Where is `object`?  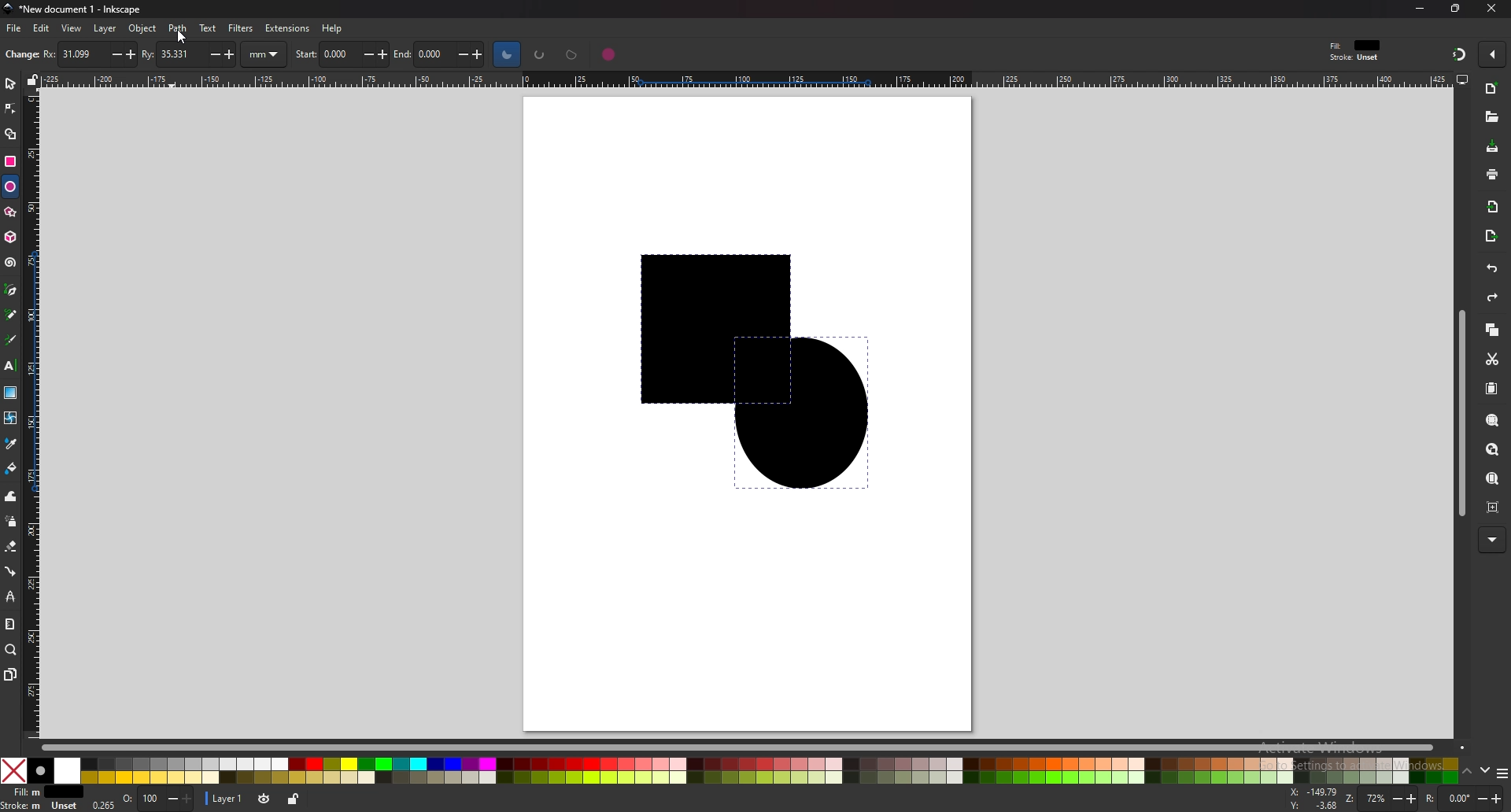 object is located at coordinates (142, 28).